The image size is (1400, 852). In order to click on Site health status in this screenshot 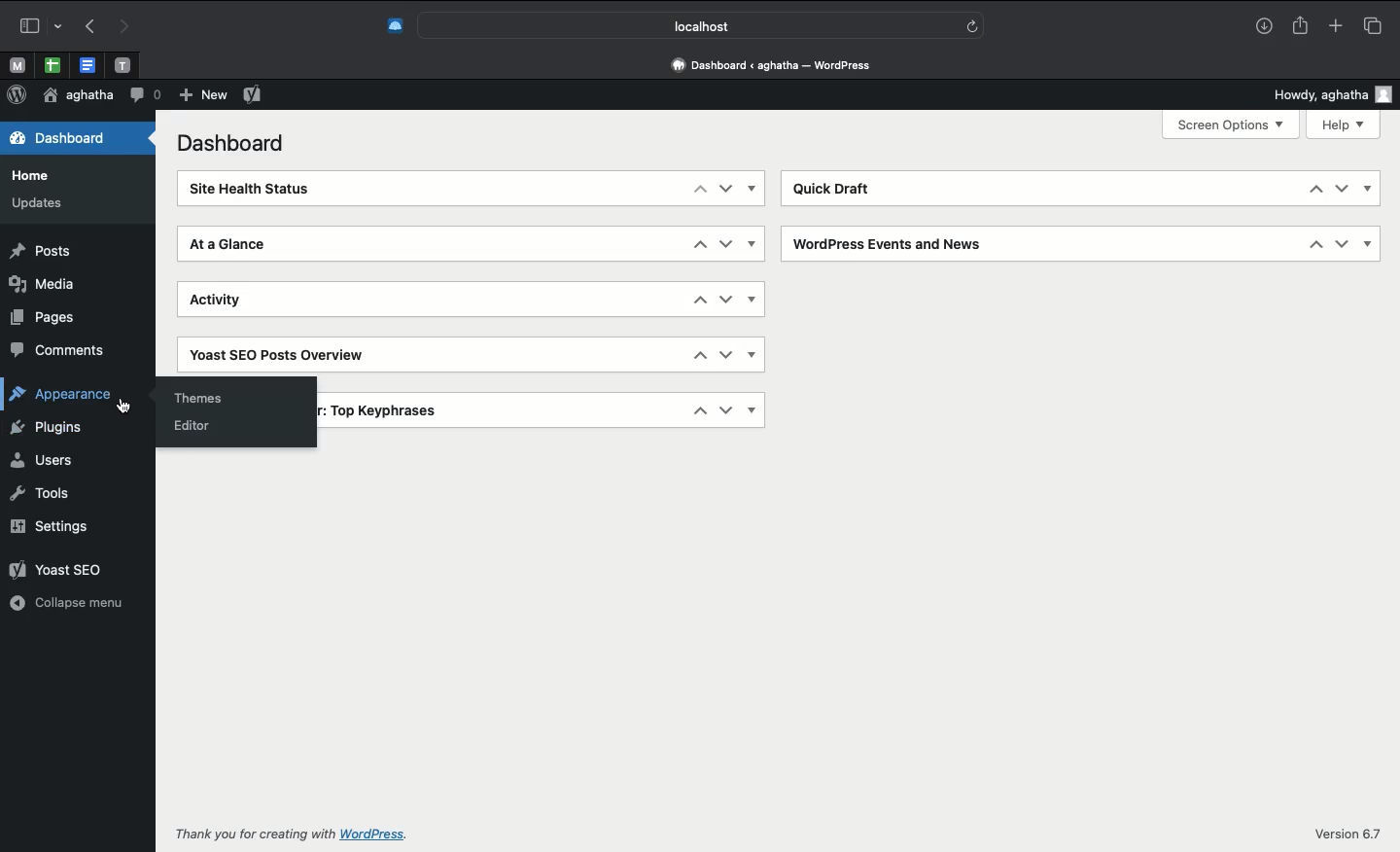, I will do `click(262, 190)`.